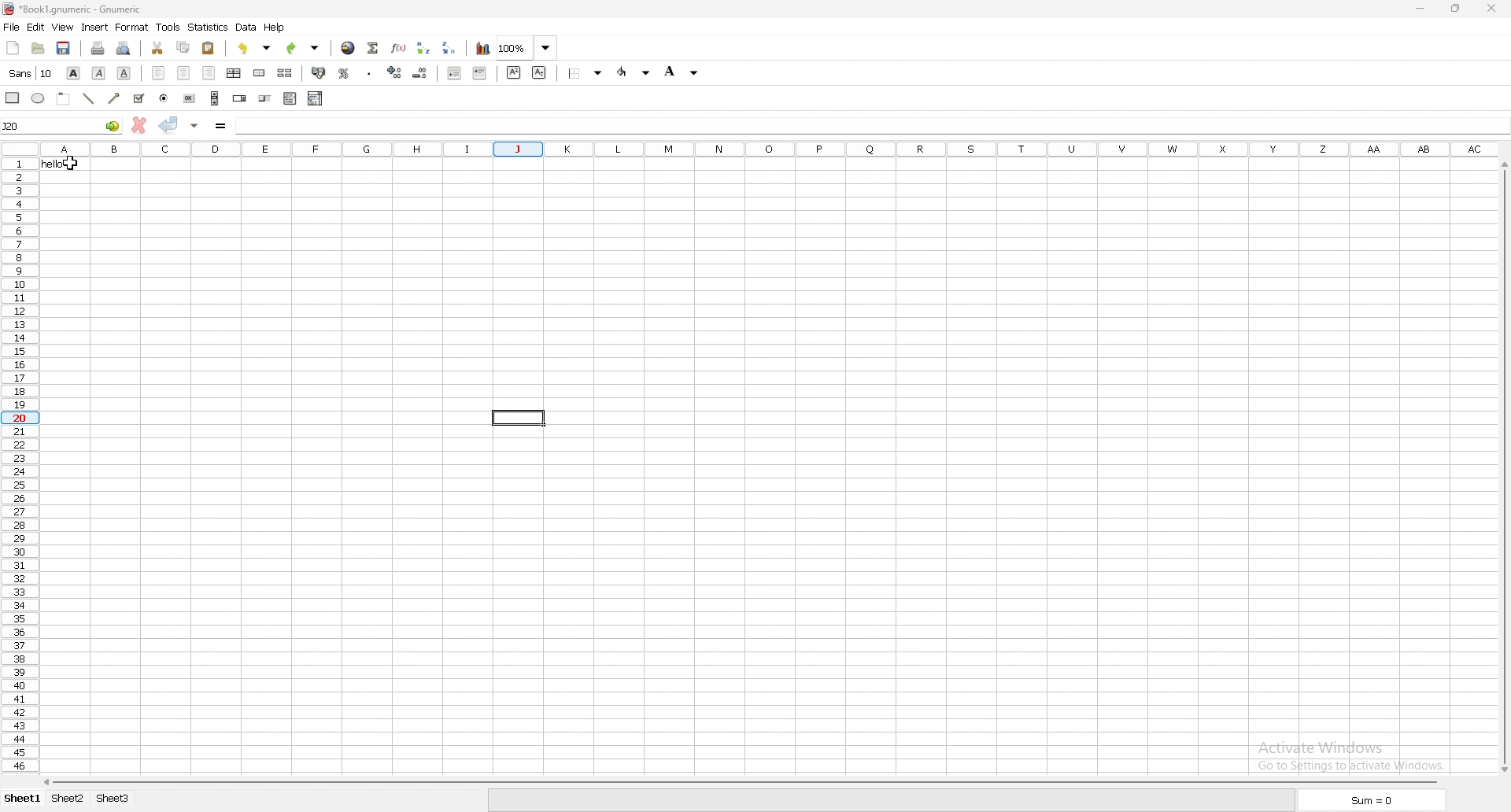 Image resolution: width=1511 pixels, height=812 pixels. Describe the element at coordinates (139, 125) in the screenshot. I see `cancel change` at that location.